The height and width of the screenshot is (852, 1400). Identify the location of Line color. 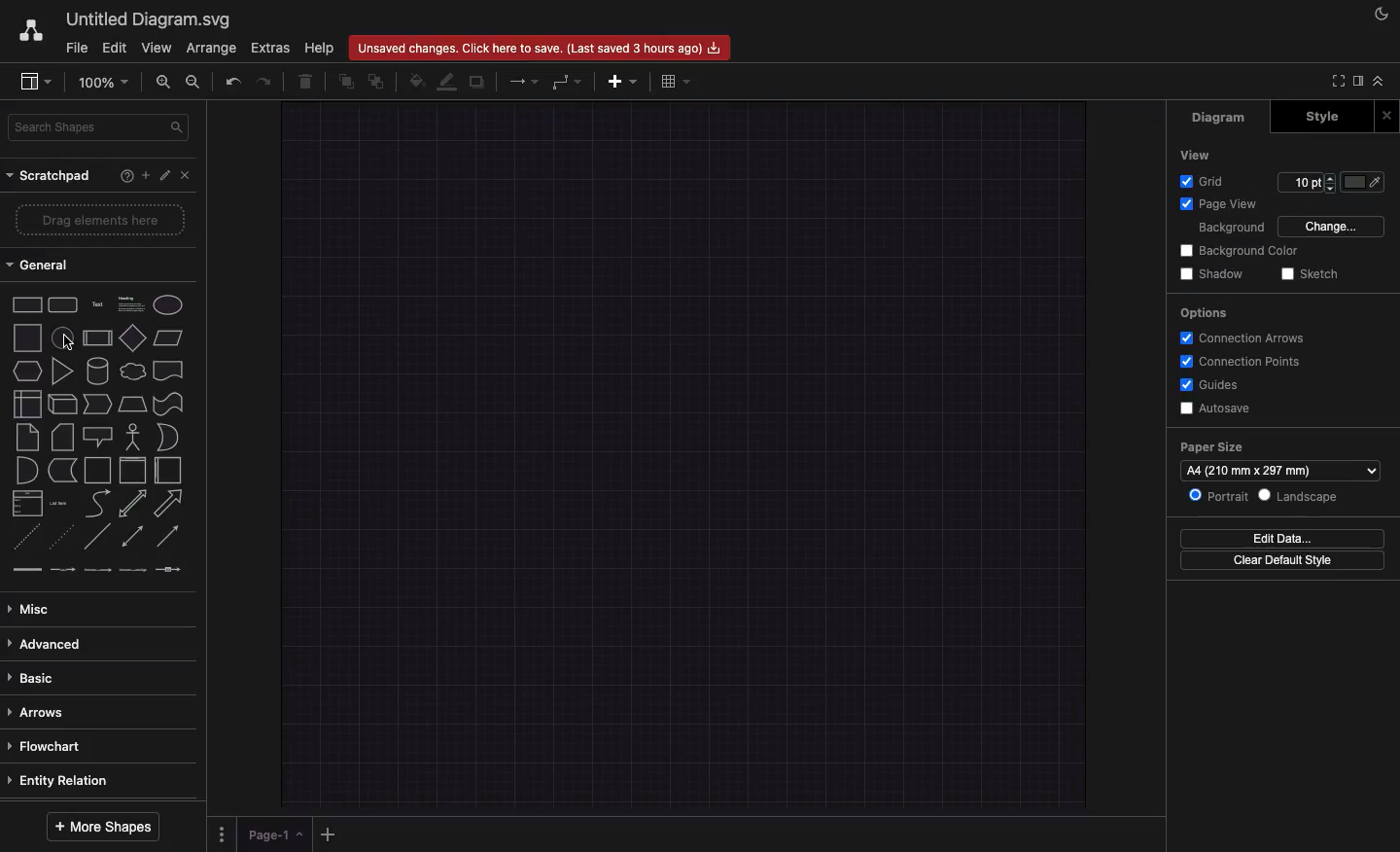
(449, 80).